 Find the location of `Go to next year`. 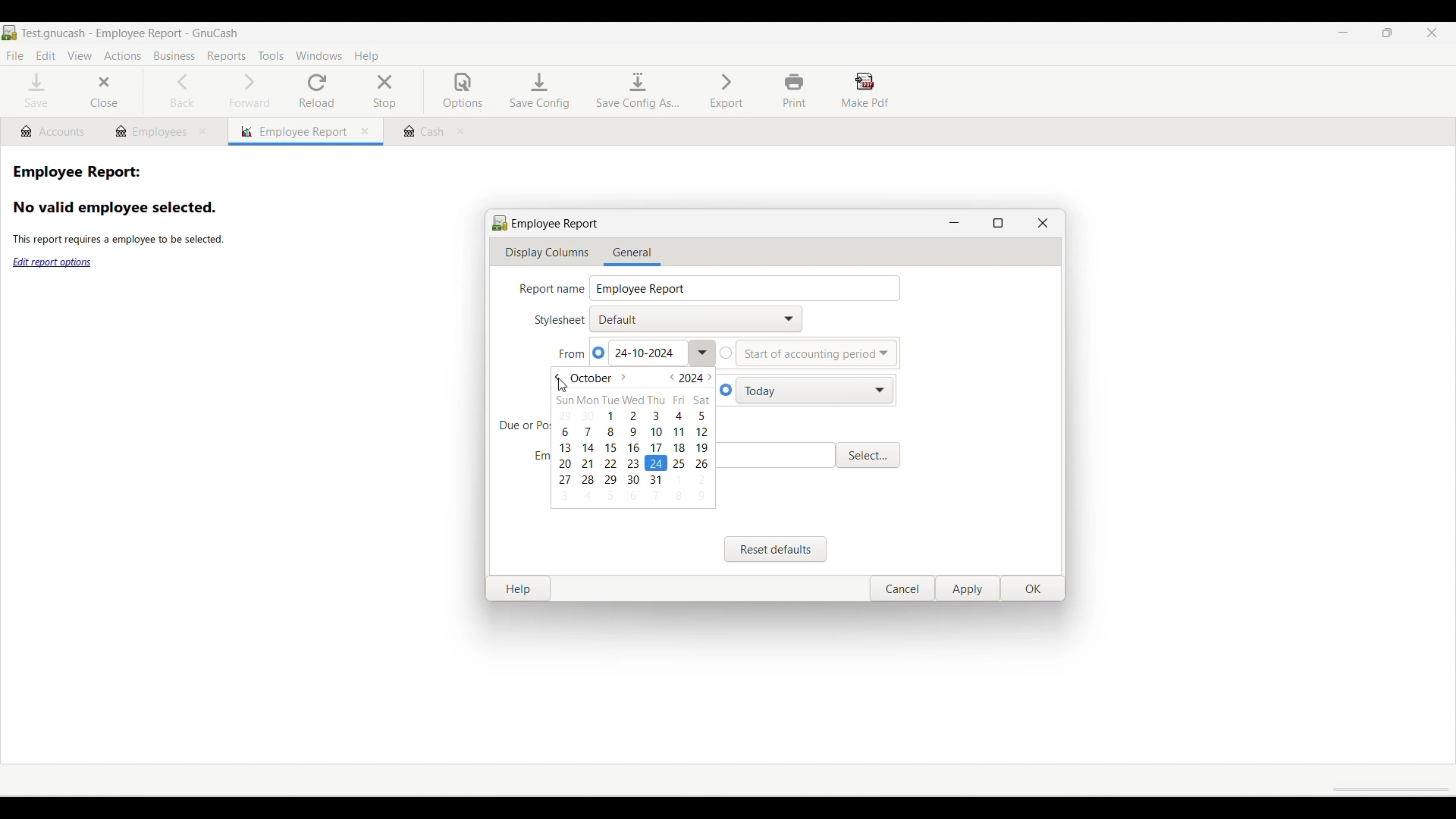

Go to next year is located at coordinates (706, 376).